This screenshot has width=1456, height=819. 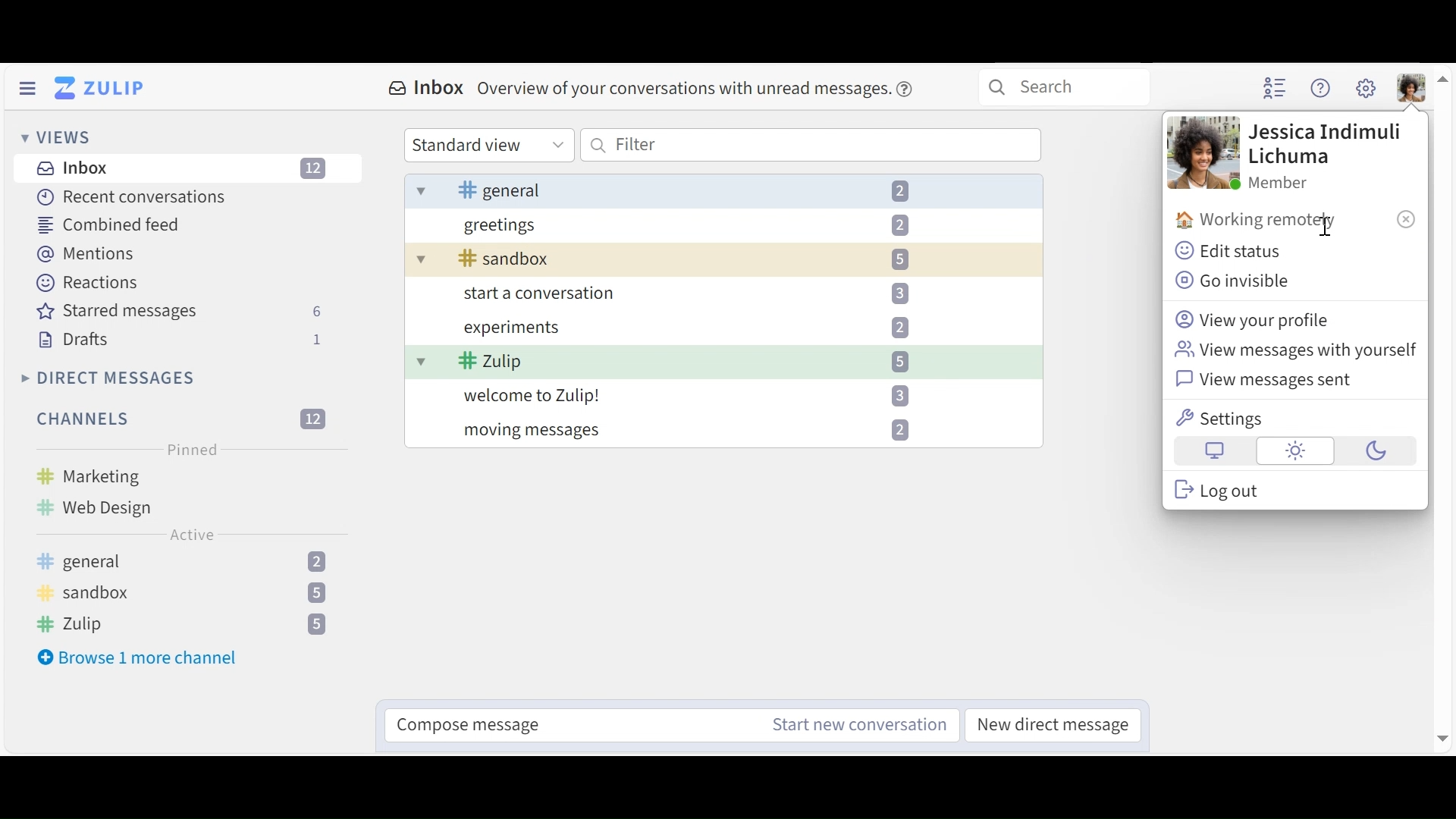 What do you see at coordinates (127, 196) in the screenshot?
I see `Recent conversations` at bounding box center [127, 196].